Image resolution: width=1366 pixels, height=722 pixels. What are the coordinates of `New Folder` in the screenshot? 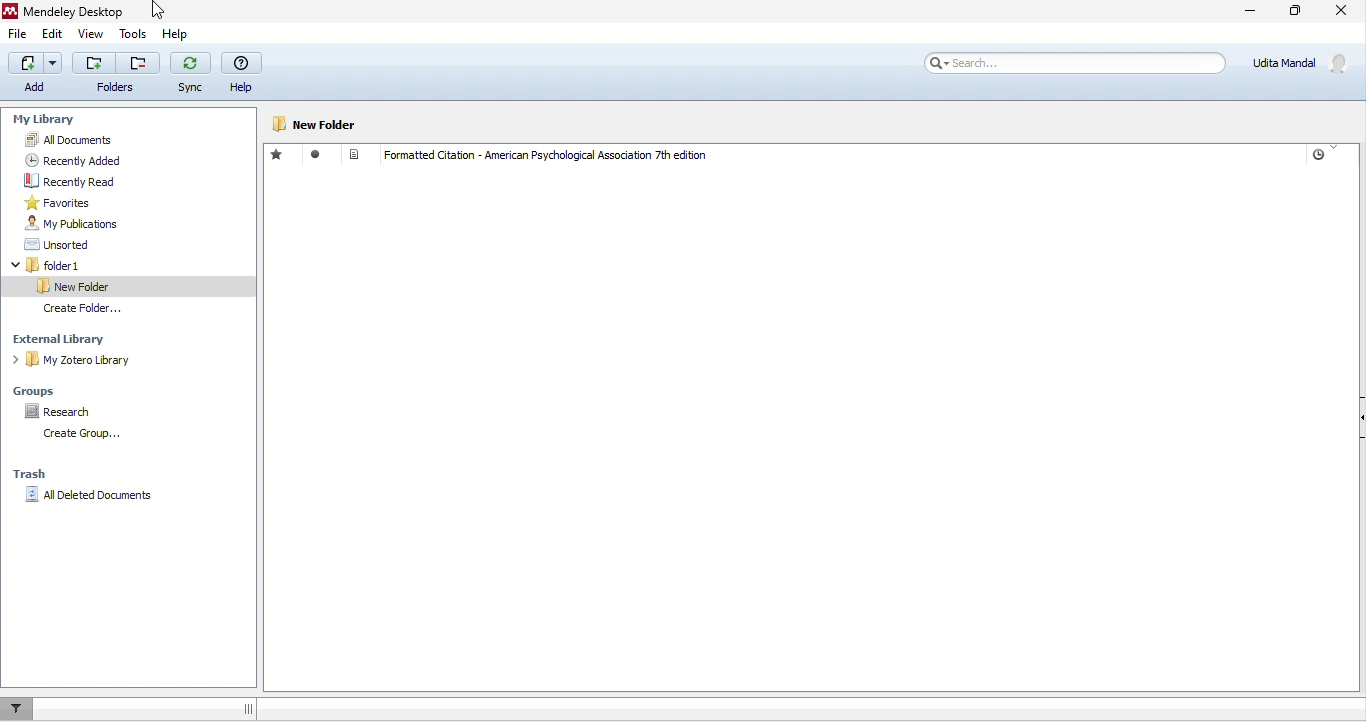 It's located at (316, 124).